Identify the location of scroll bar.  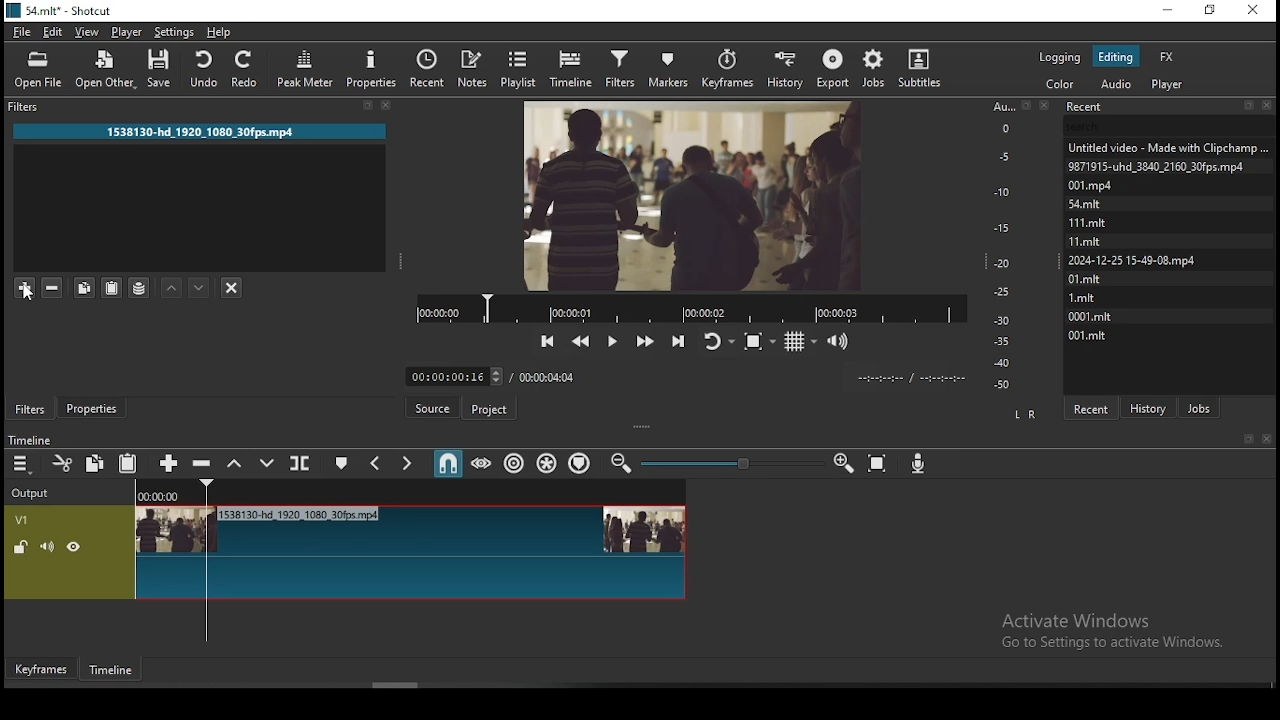
(398, 685).